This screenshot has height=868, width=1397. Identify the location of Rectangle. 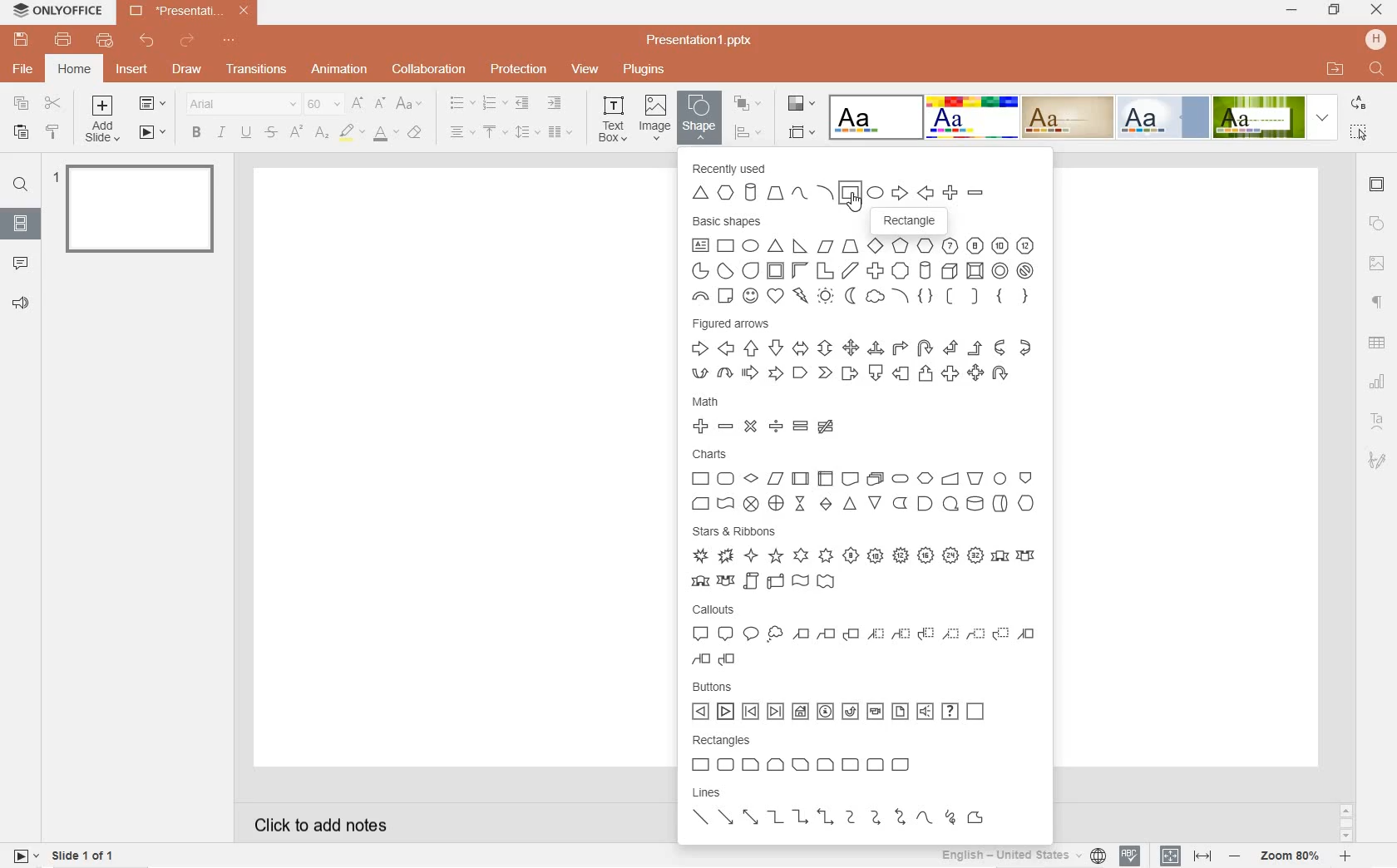
(699, 764).